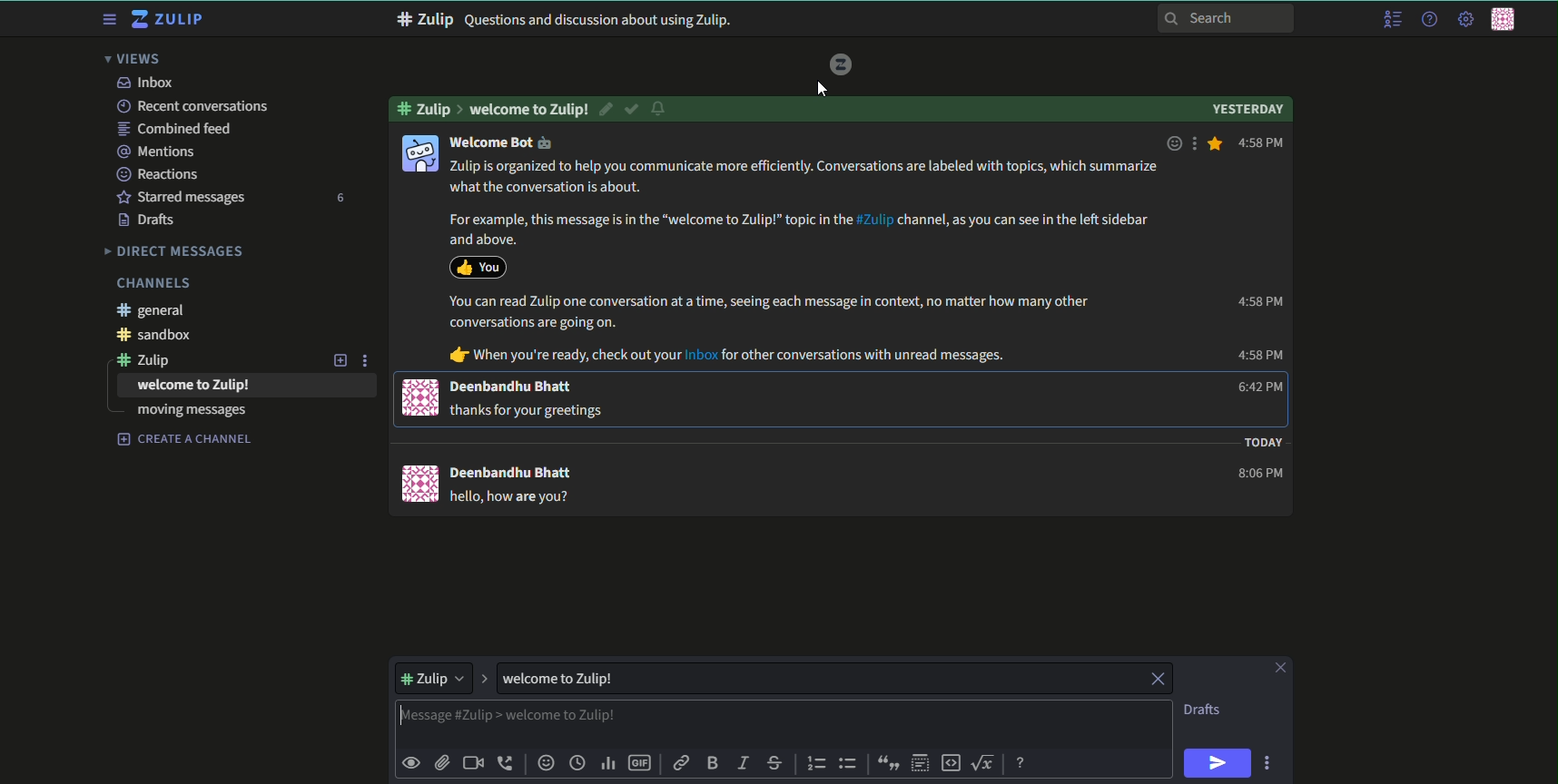  I want to click on icon, so click(418, 154).